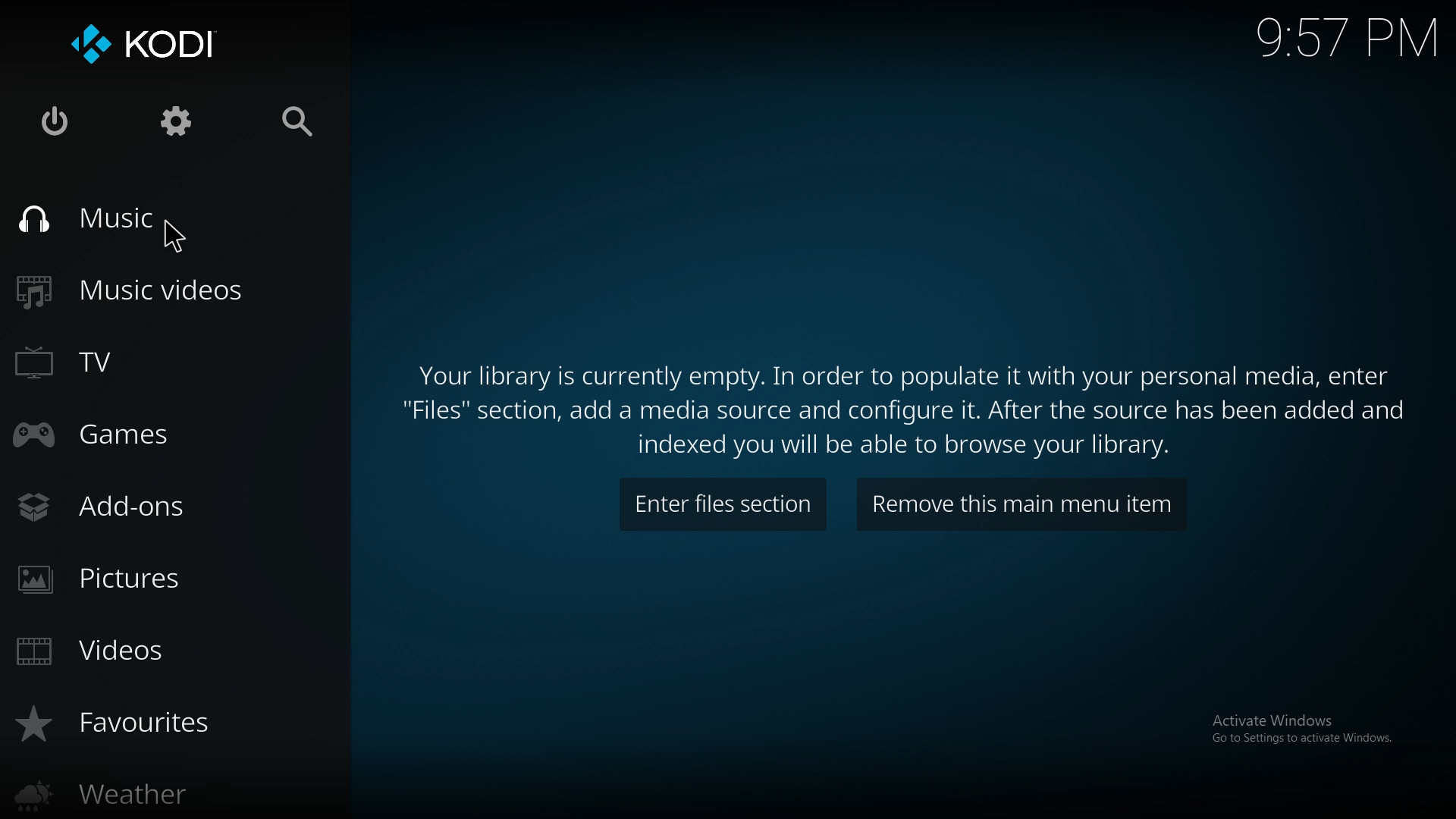 The width and height of the screenshot is (1456, 819). What do you see at coordinates (157, 726) in the screenshot?
I see `favourites` at bounding box center [157, 726].